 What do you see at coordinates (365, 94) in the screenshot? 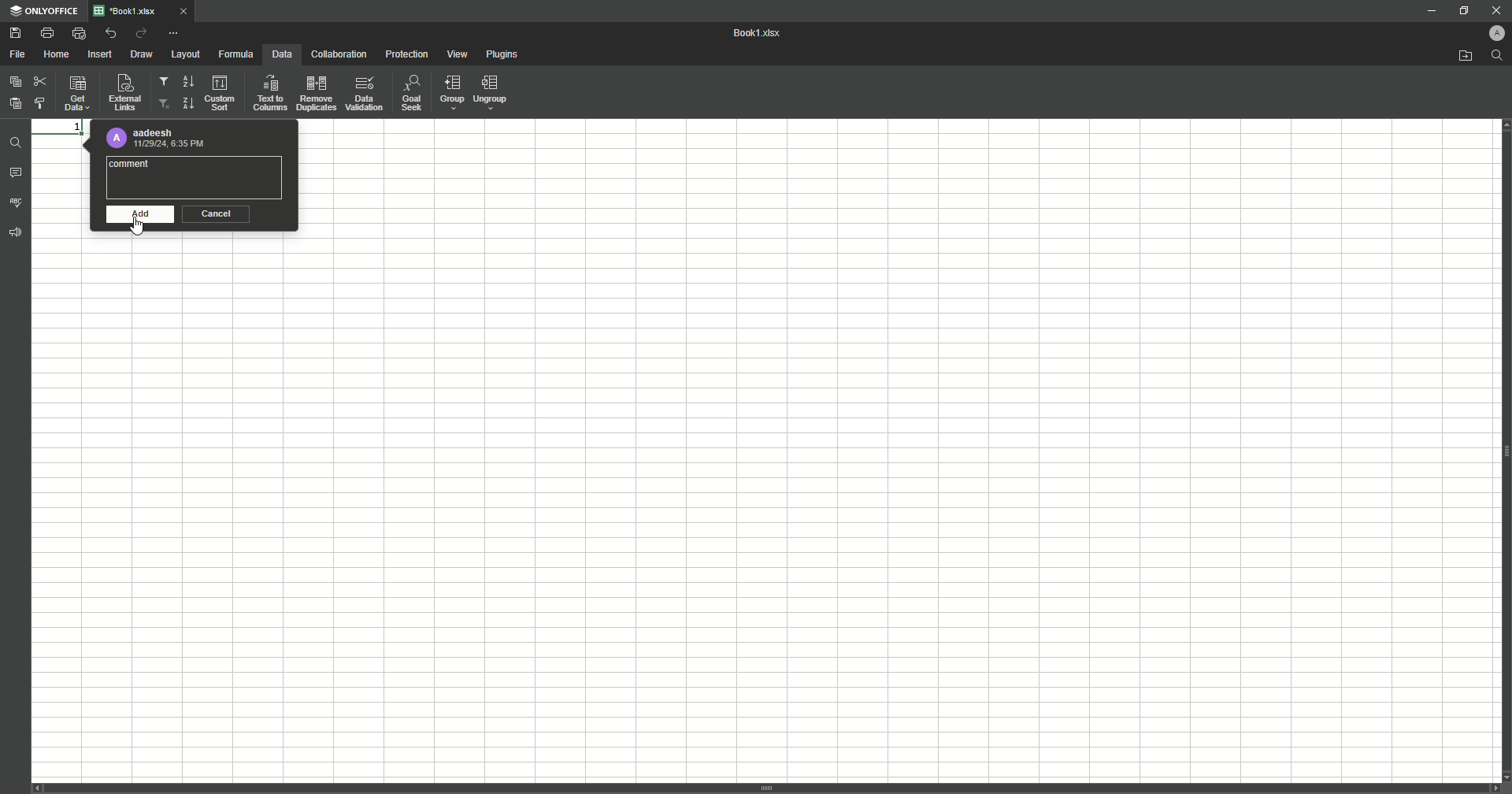
I see `Data Validation` at bounding box center [365, 94].